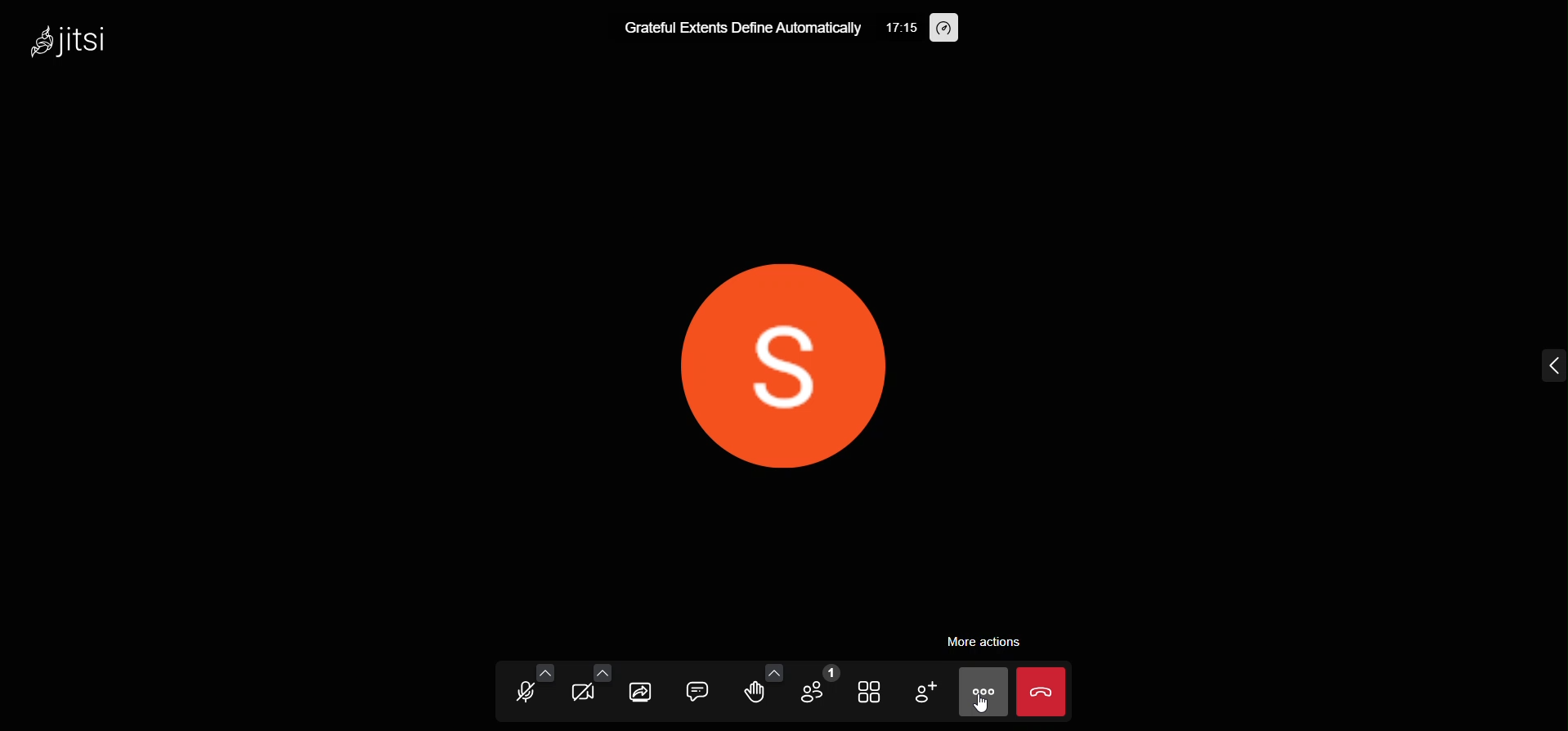  What do you see at coordinates (982, 642) in the screenshot?
I see `more actions` at bounding box center [982, 642].